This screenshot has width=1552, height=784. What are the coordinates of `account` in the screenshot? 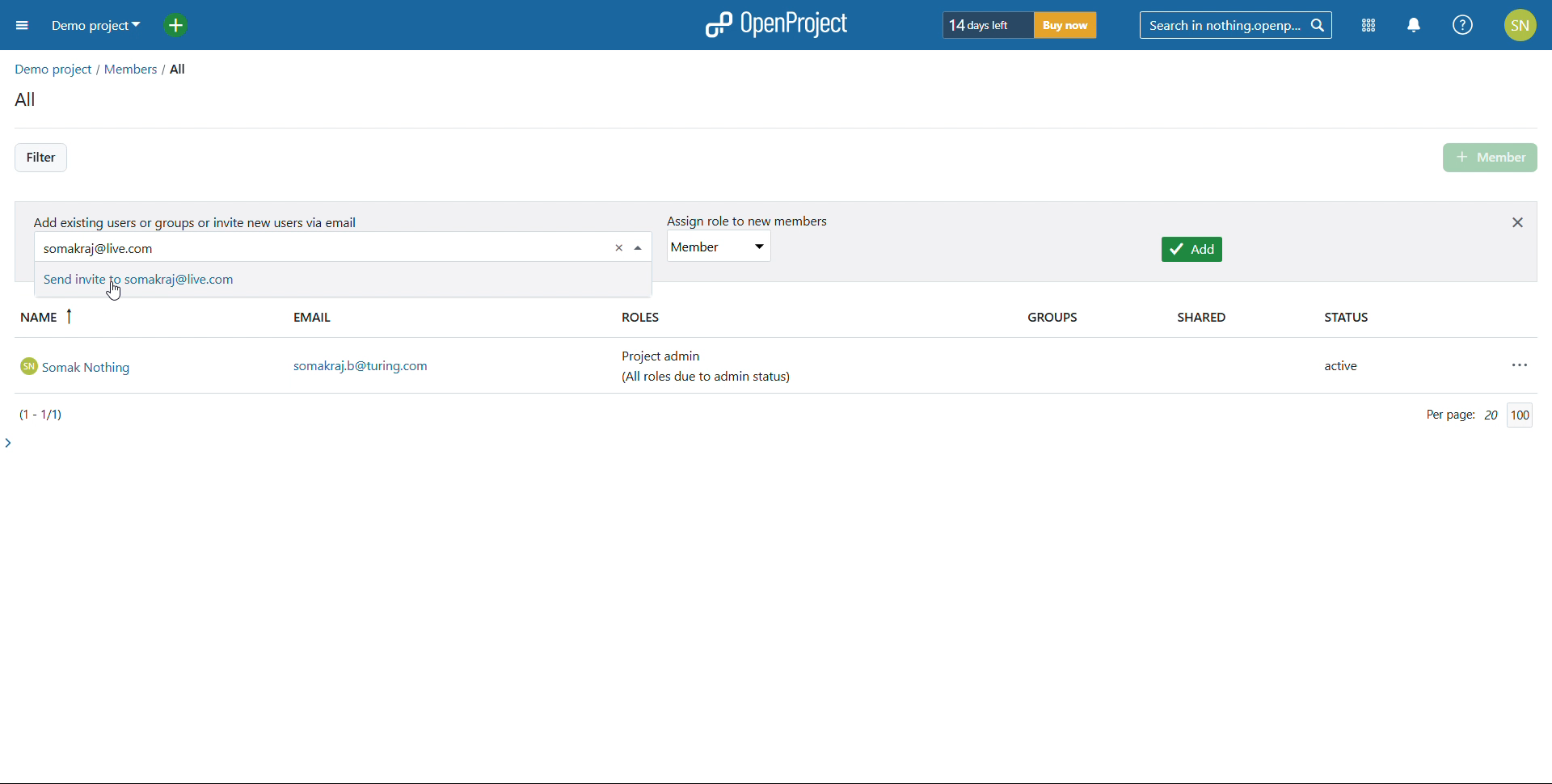 It's located at (1521, 24).